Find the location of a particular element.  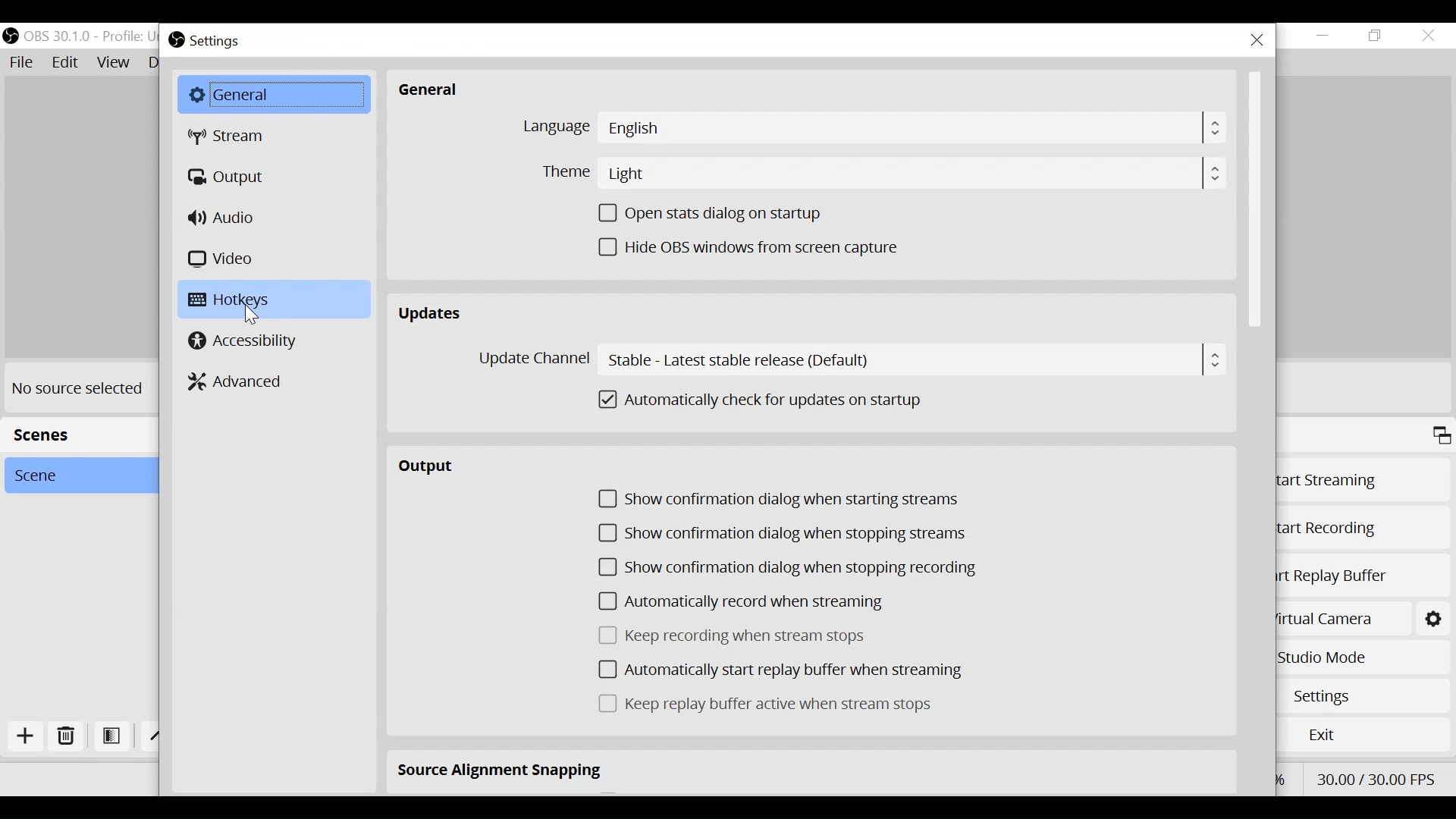

Studio Mode is located at coordinates (1359, 660).